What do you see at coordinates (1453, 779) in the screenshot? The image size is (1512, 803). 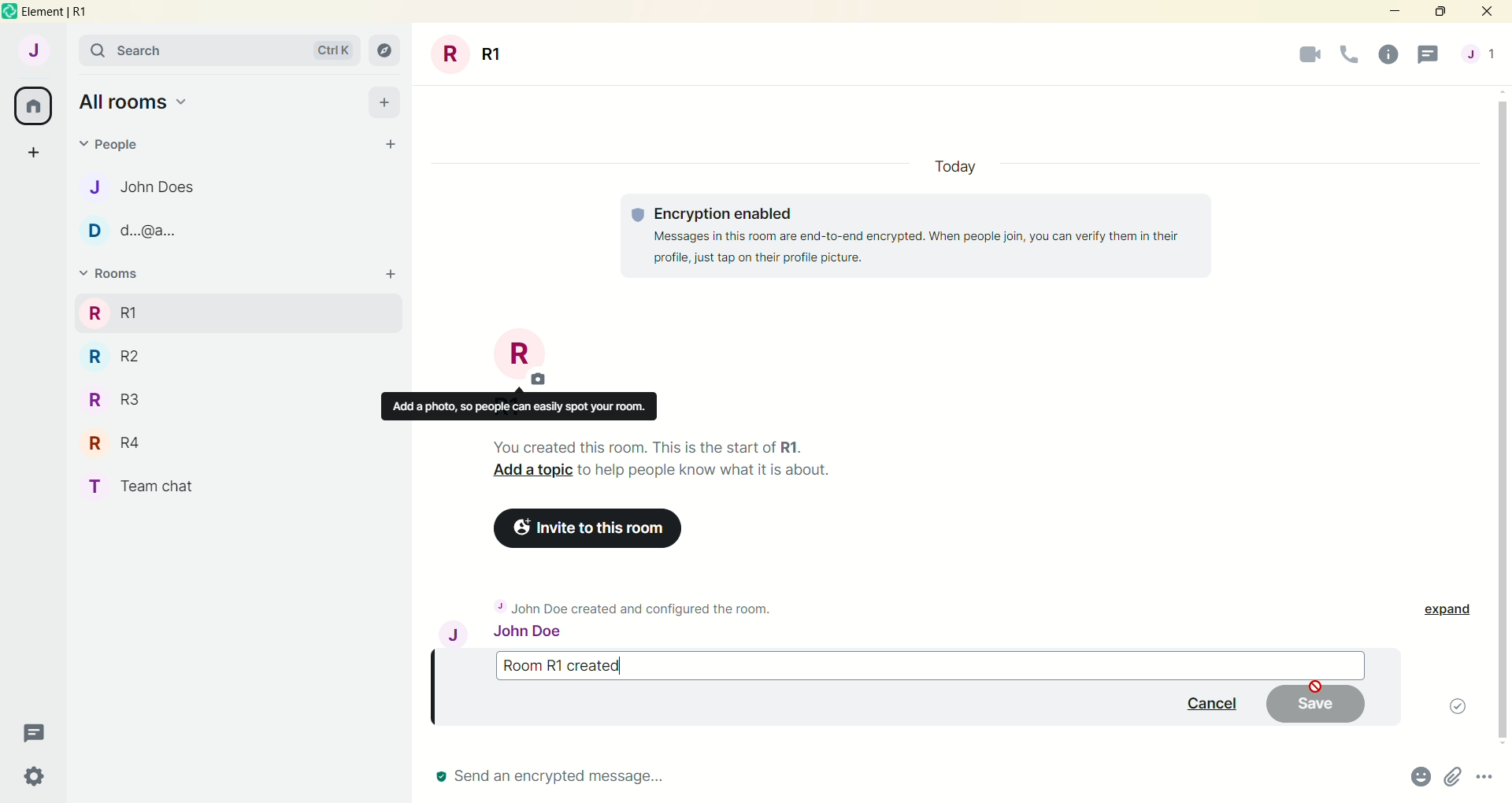 I see `attachments` at bounding box center [1453, 779].